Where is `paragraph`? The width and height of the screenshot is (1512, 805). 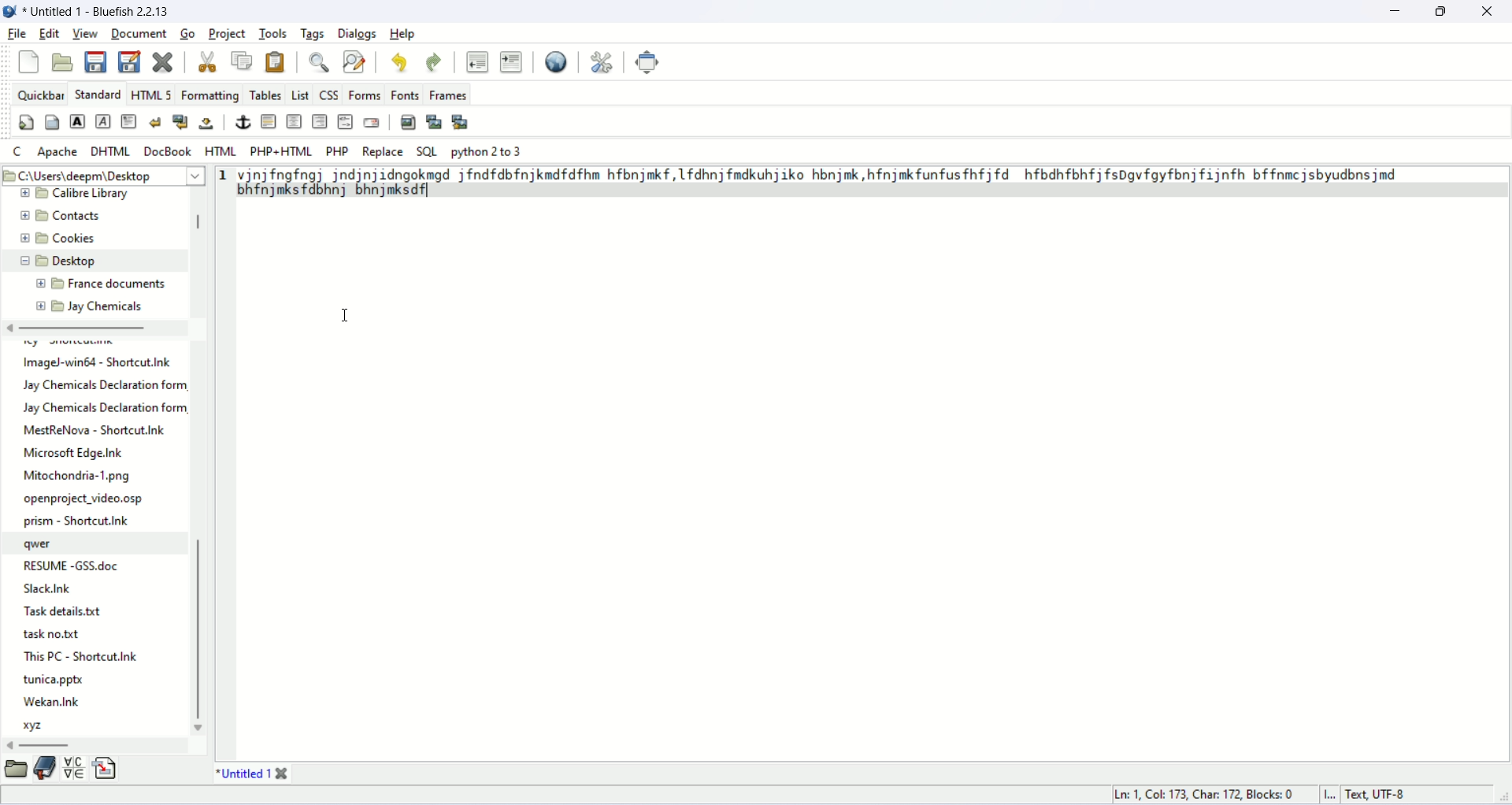
paragraph is located at coordinates (128, 121).